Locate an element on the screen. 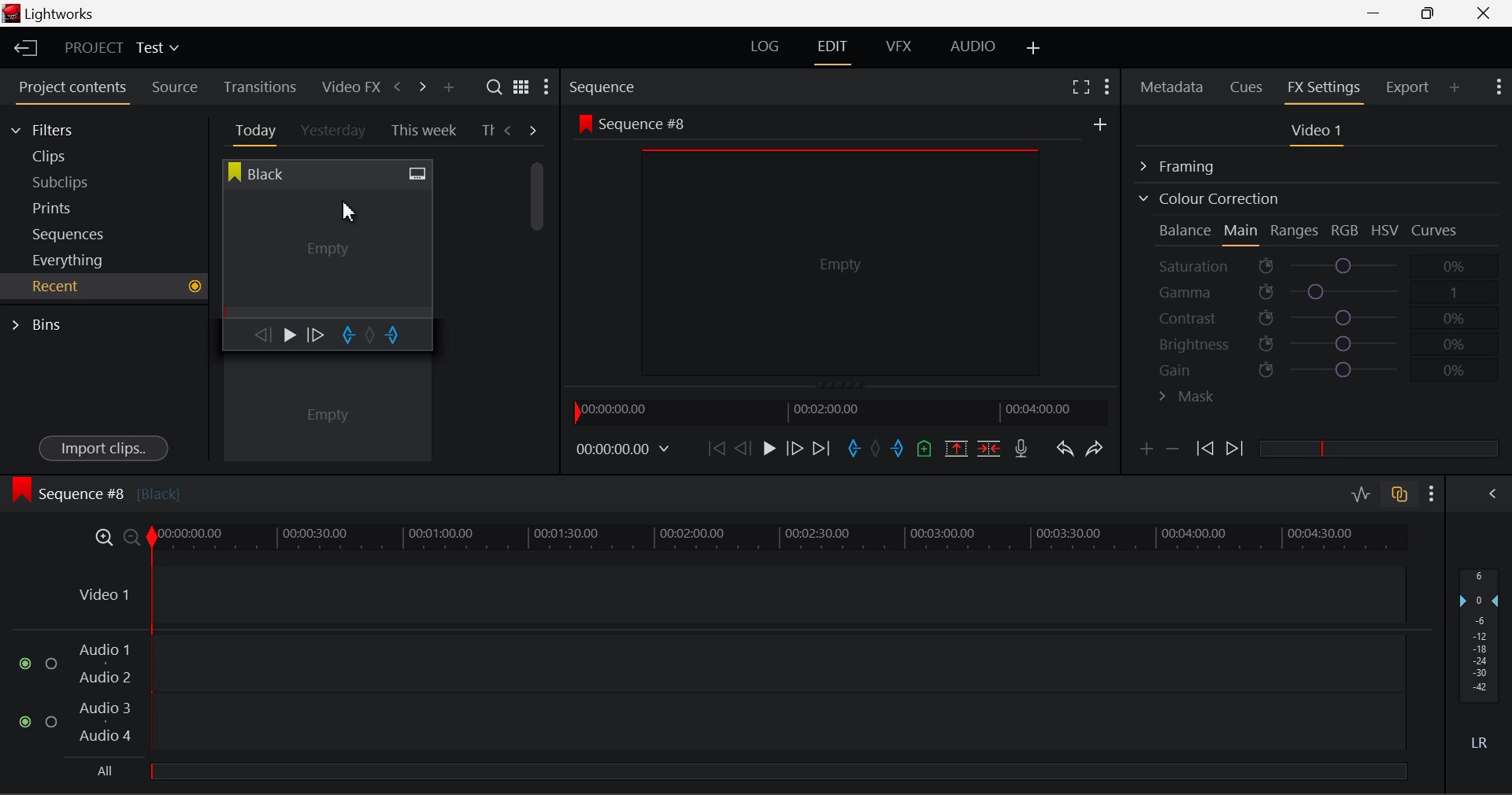 The width and height of the screenshot is (1512, 795). Go Forward is located at coordinates (795, 448).